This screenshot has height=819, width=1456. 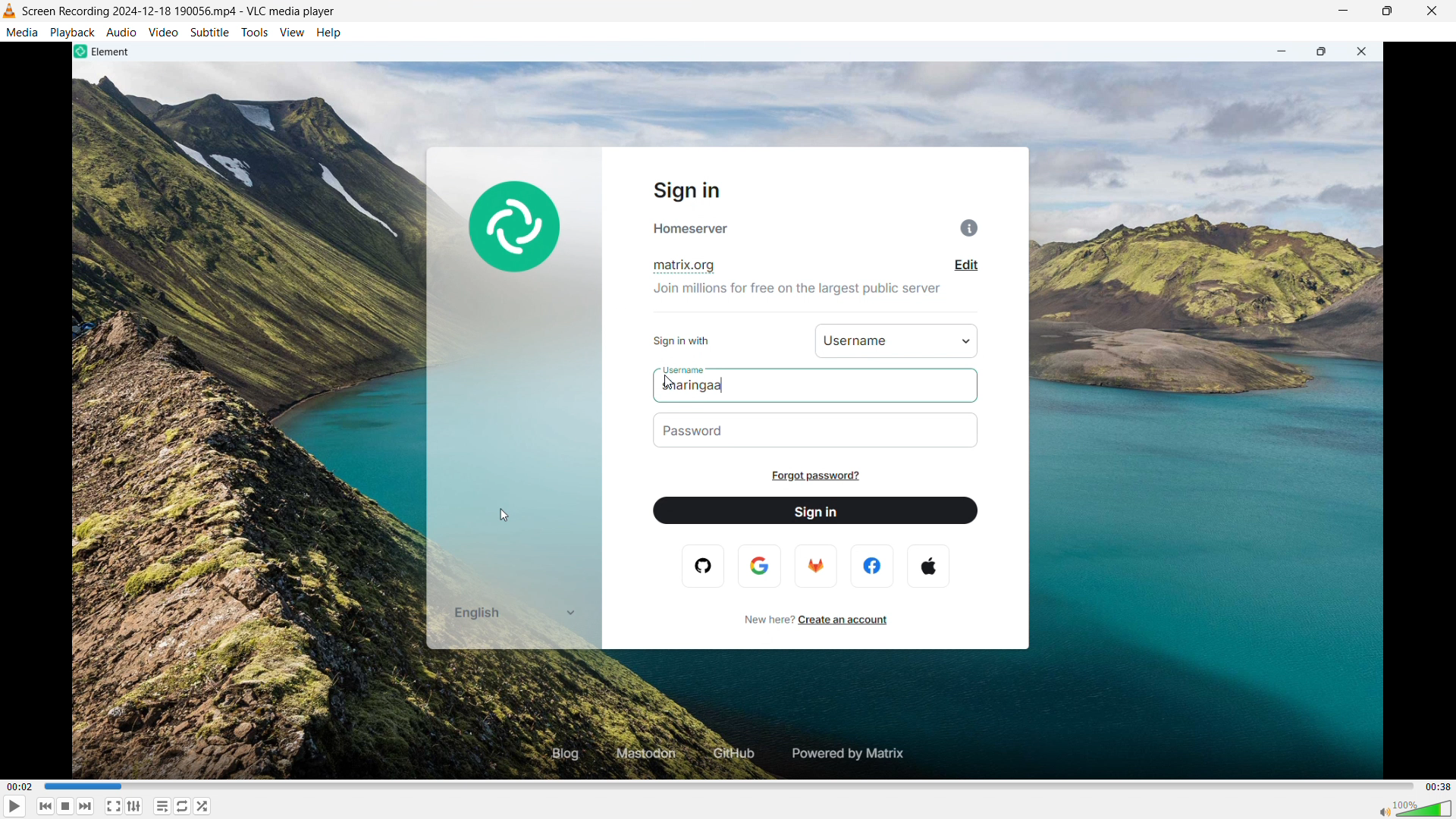 What do you see at coordinates (21, 786) in the screenshot?
I see `time elapsed-00.02` at bounding box center [21, 786].